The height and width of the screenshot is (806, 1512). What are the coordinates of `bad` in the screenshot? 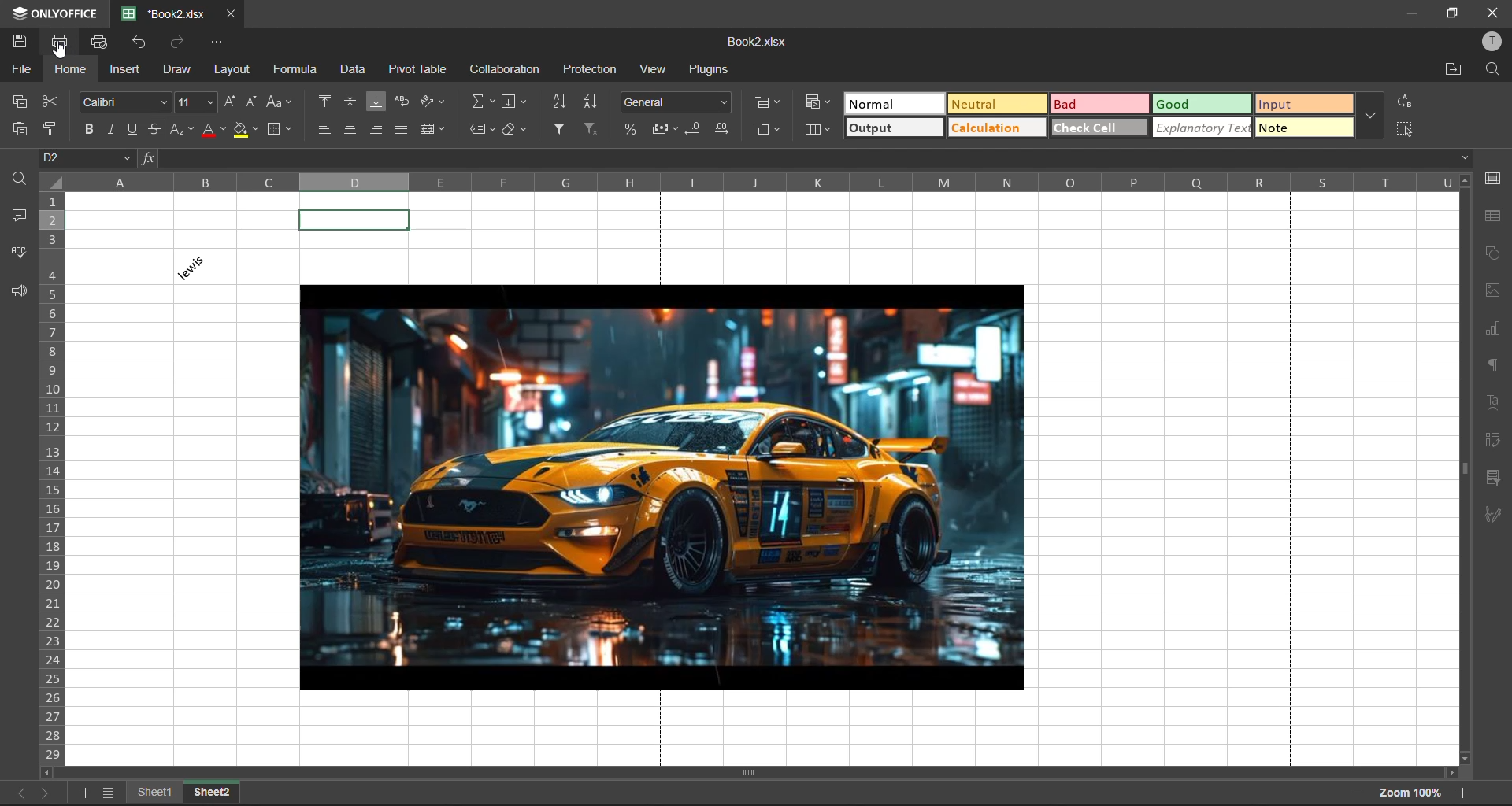 It's located at (1100, 104).